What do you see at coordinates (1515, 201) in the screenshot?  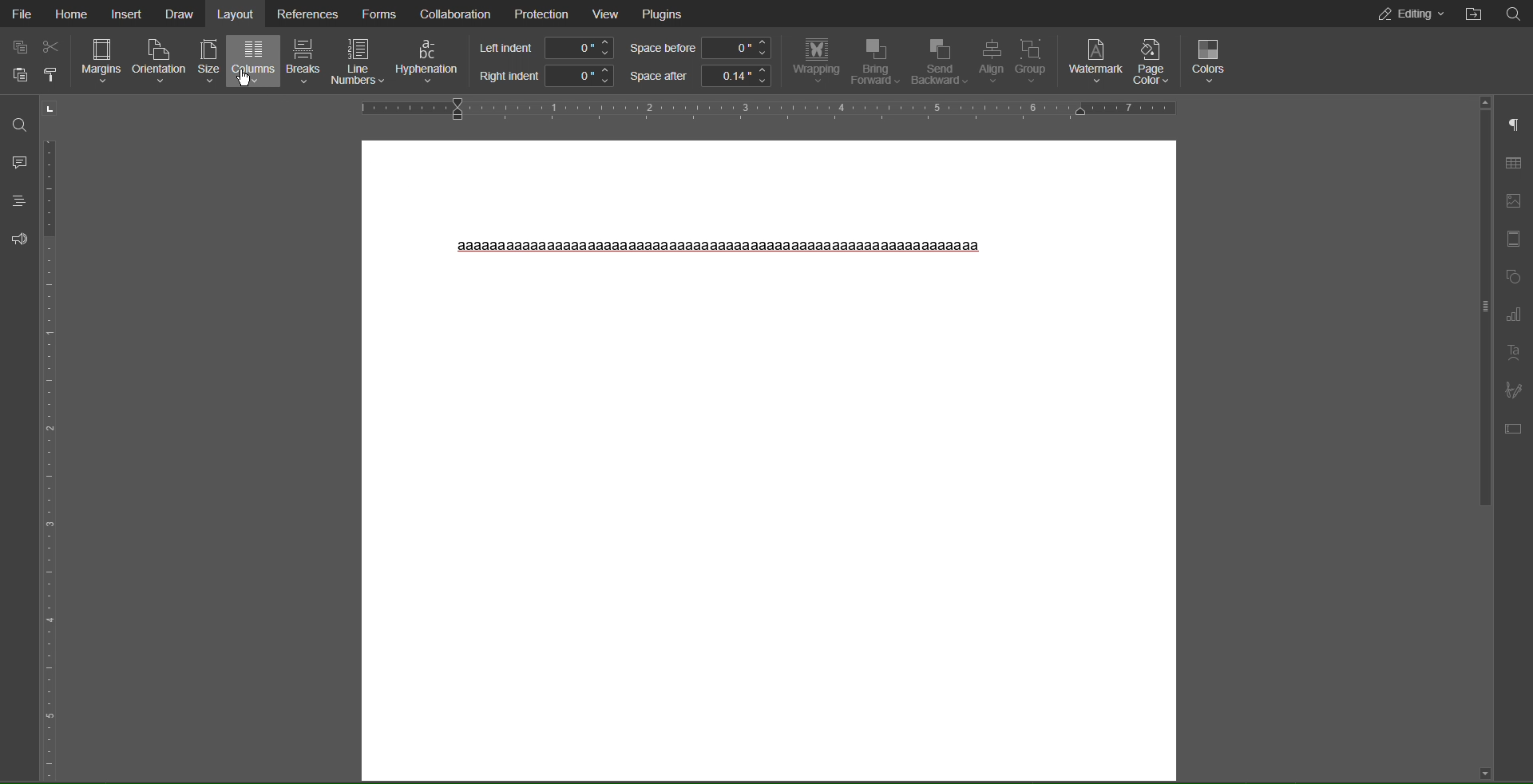 I see `Image Settings` at bounding box center [1515, 201].